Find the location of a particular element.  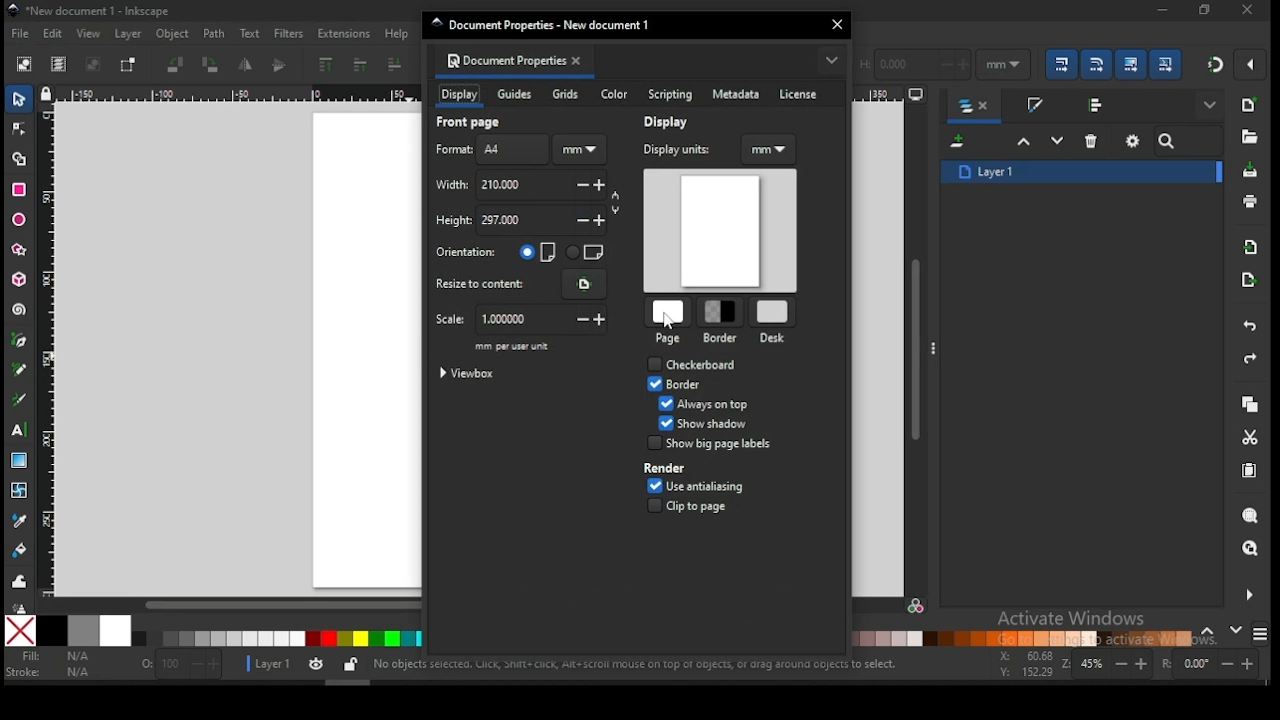

print is located at coordinates (1250, 202).